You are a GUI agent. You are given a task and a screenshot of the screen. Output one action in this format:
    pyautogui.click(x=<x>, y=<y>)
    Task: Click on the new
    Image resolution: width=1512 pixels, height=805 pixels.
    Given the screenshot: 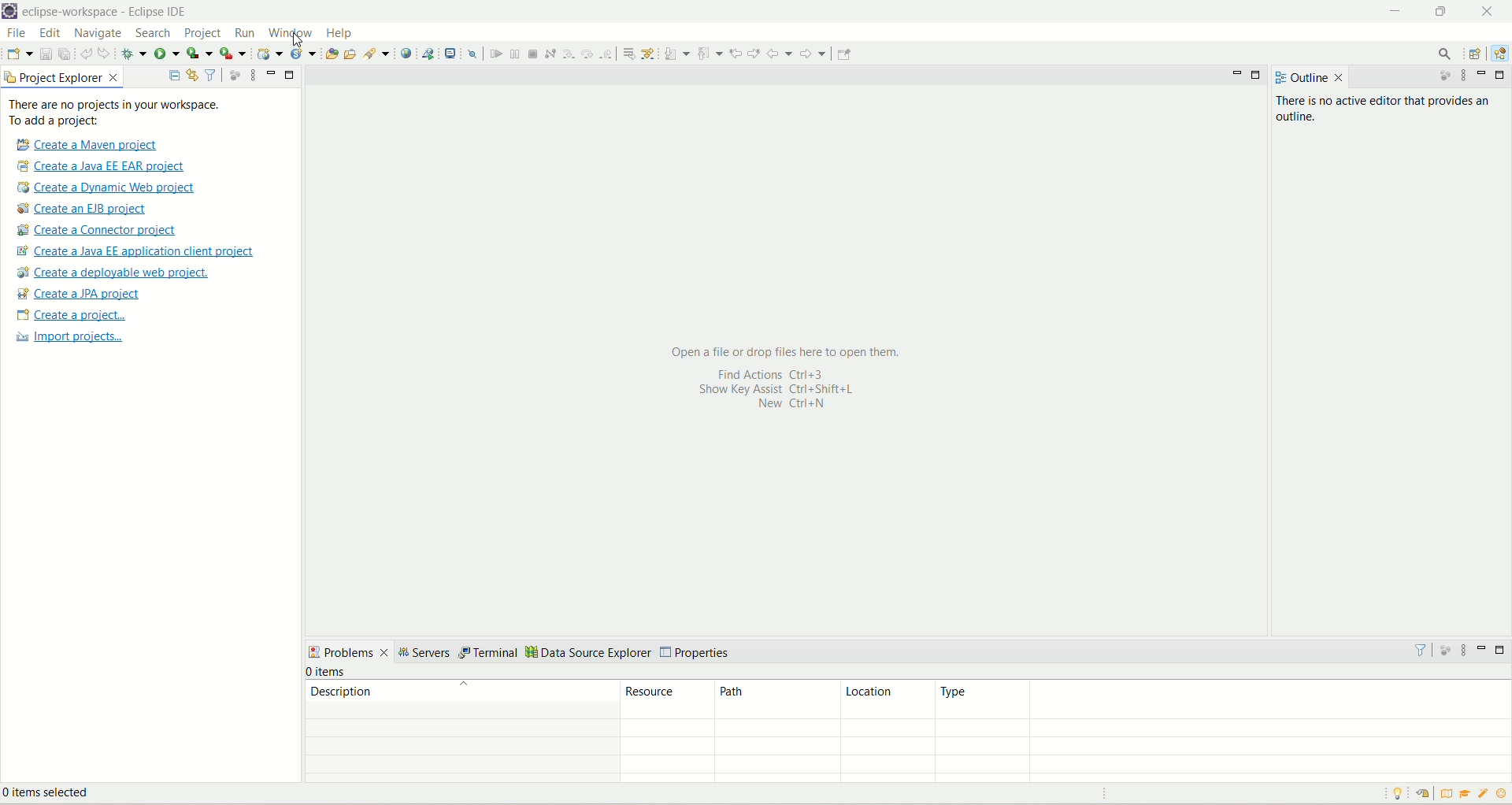 What is the action you would take?
    pyautogui.click(x=19, y=54)
    